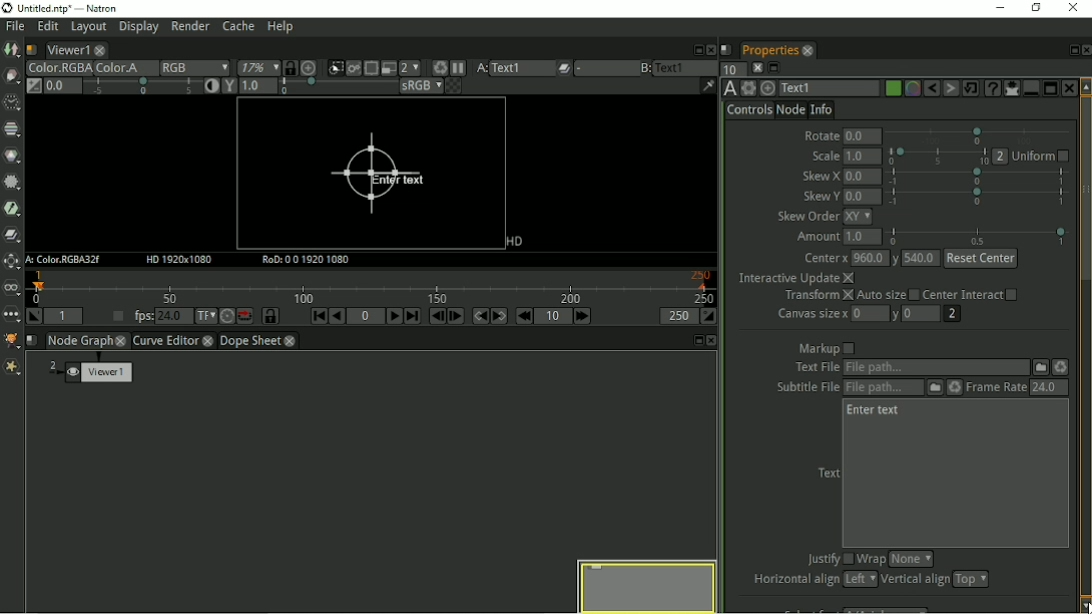  What do you see at coordinates (437, 67) in the screenshot?
I see `Keyboard shortcut` at bounding box center [437, 67].